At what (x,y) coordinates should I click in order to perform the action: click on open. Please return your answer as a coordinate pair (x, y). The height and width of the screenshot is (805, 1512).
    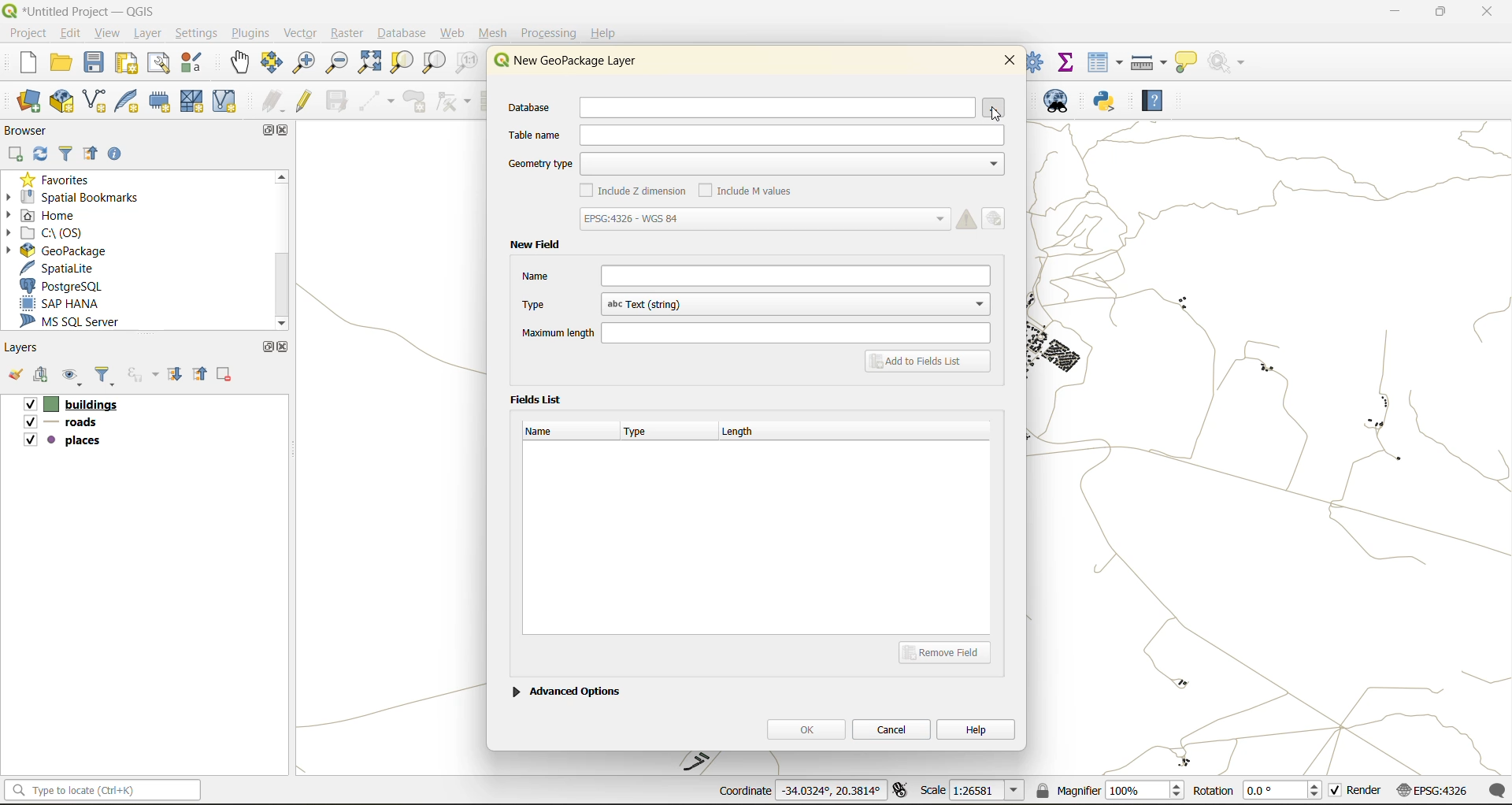
    Looking at the image, I should click on (14, 378).